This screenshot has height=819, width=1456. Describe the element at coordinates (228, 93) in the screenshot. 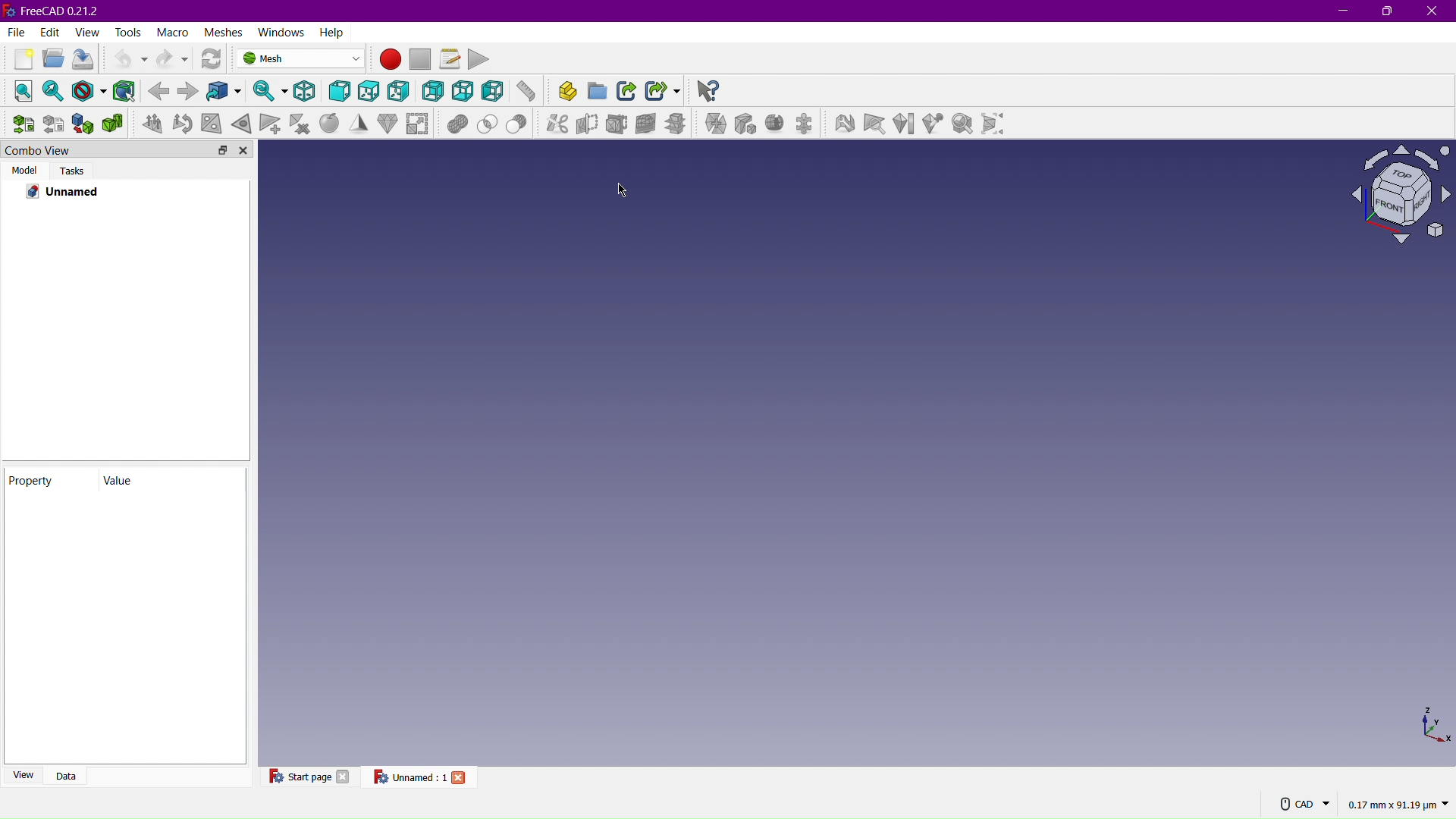

I see `Go to linked object` at that location.